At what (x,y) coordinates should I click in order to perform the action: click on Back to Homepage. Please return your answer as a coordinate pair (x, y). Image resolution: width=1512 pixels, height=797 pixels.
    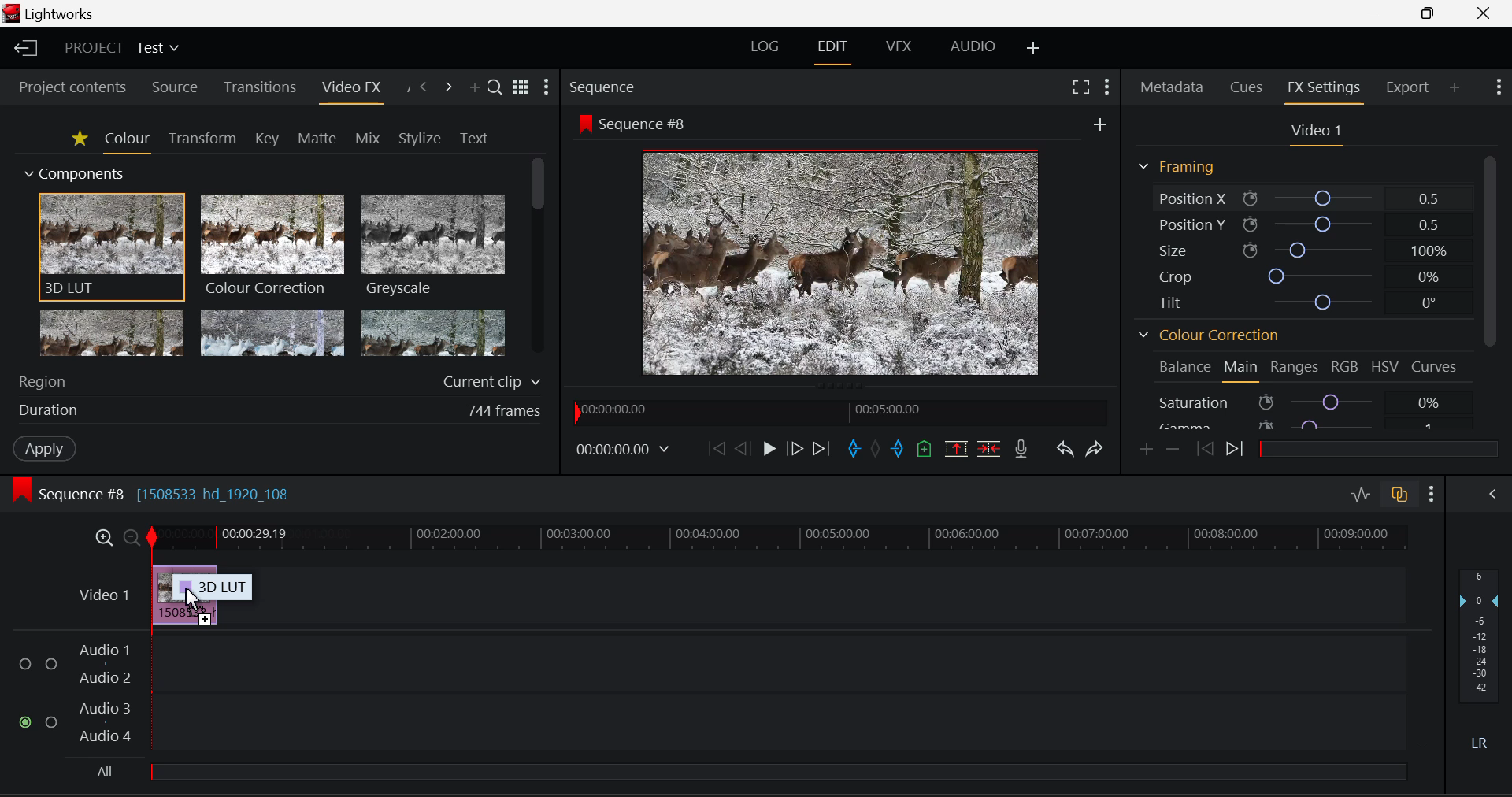
    Looking at the image, I should click on (22, 48).